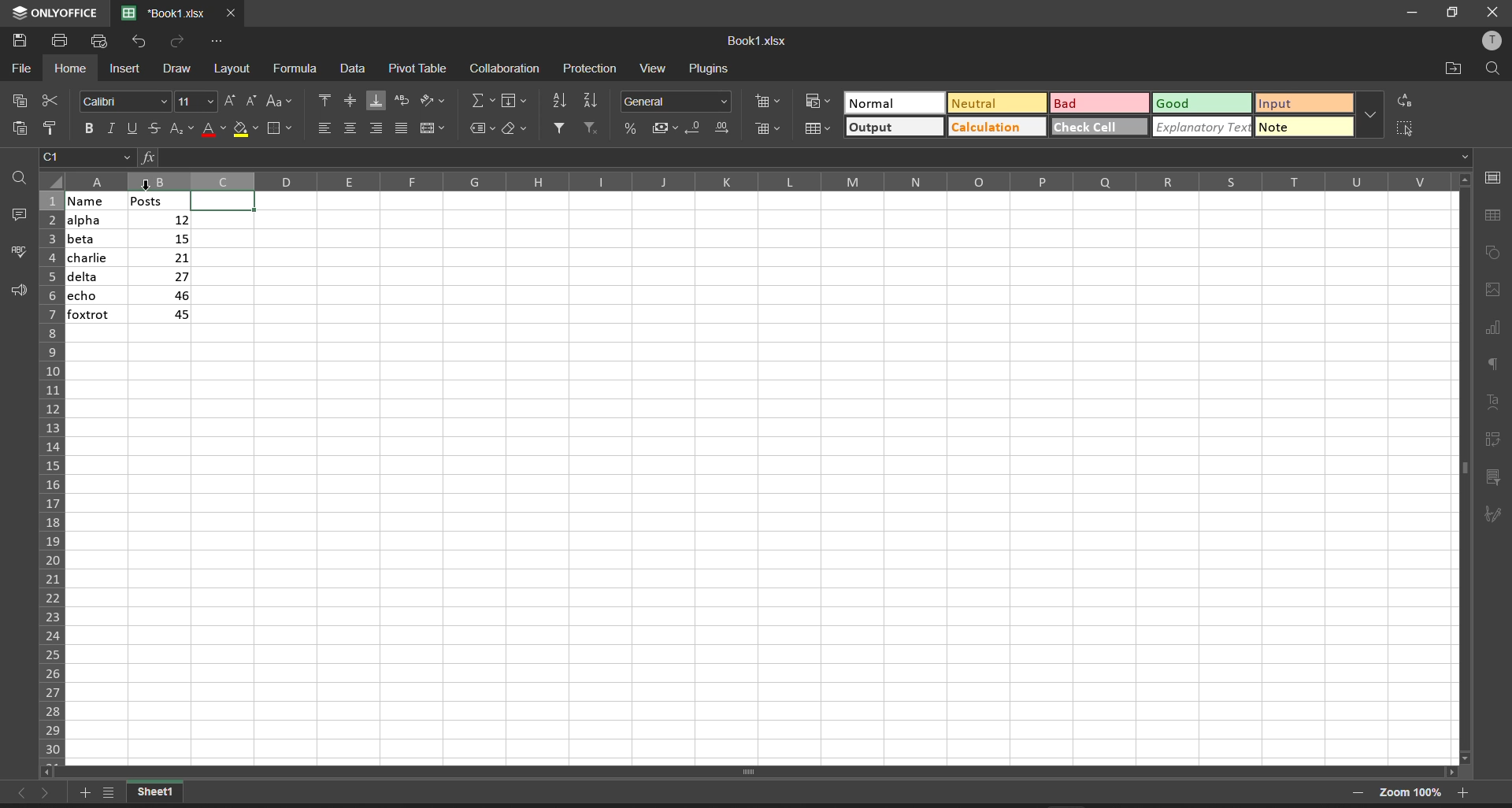 This screenshot has height=808, width=1512. I want to click on plugins, so click(710, 69).